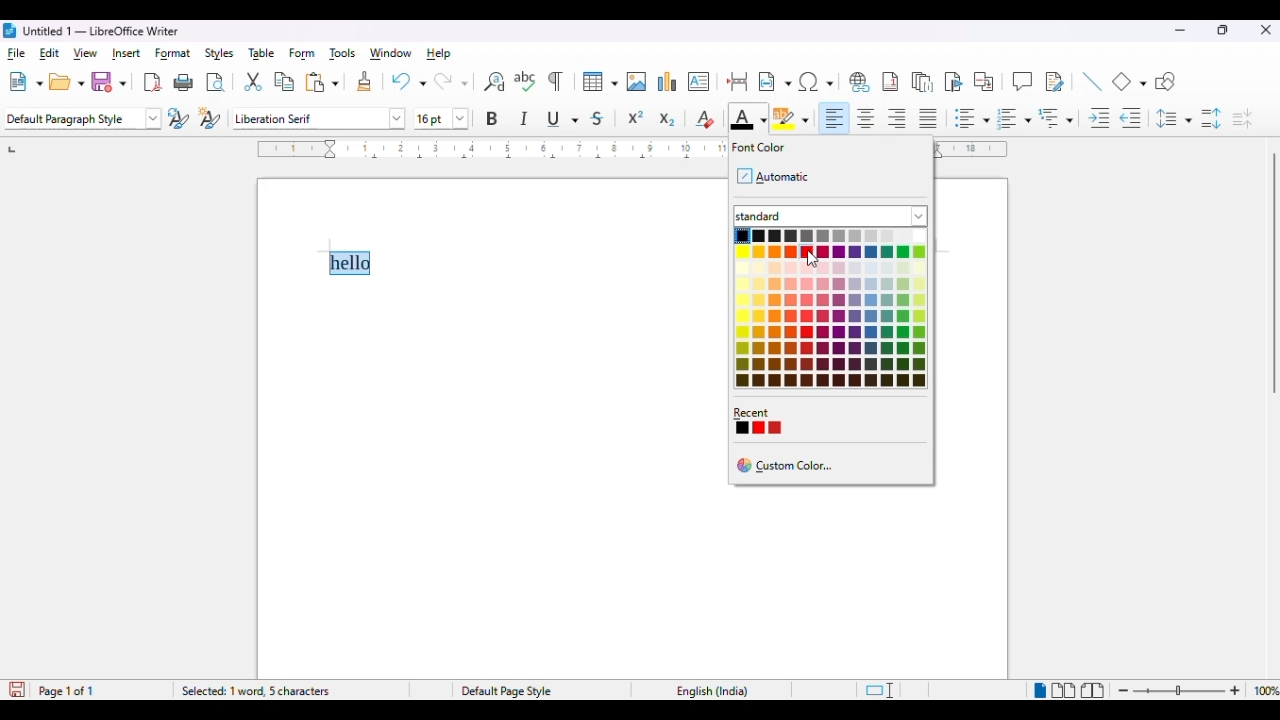 The height and width of the screenshot is (720, 1280). I want to click on format, so click(172, 54).